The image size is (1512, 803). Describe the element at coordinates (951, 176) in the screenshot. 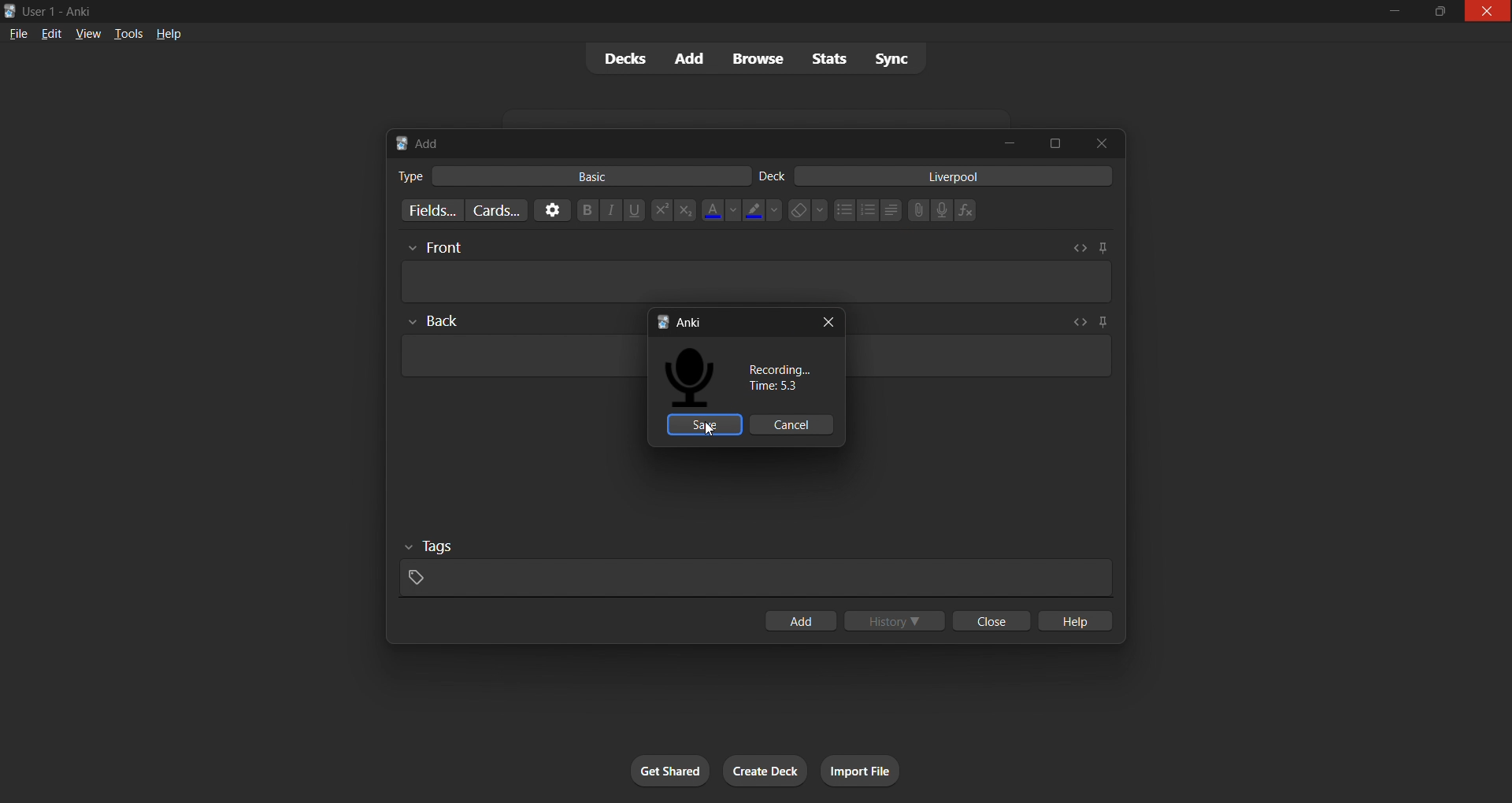

I see `` at that location.